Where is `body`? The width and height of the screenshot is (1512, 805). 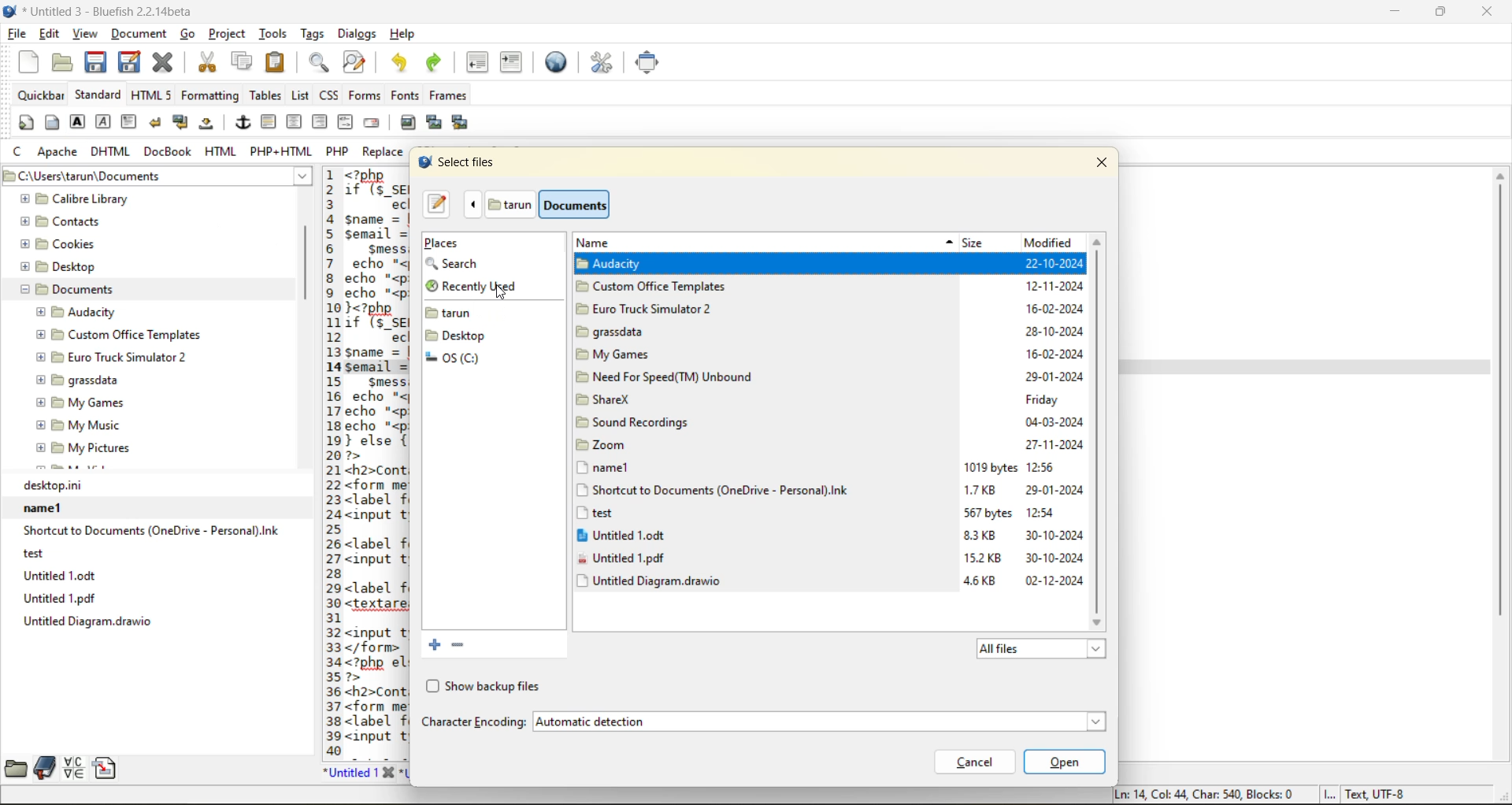 body is located at coordinates (52, 124).